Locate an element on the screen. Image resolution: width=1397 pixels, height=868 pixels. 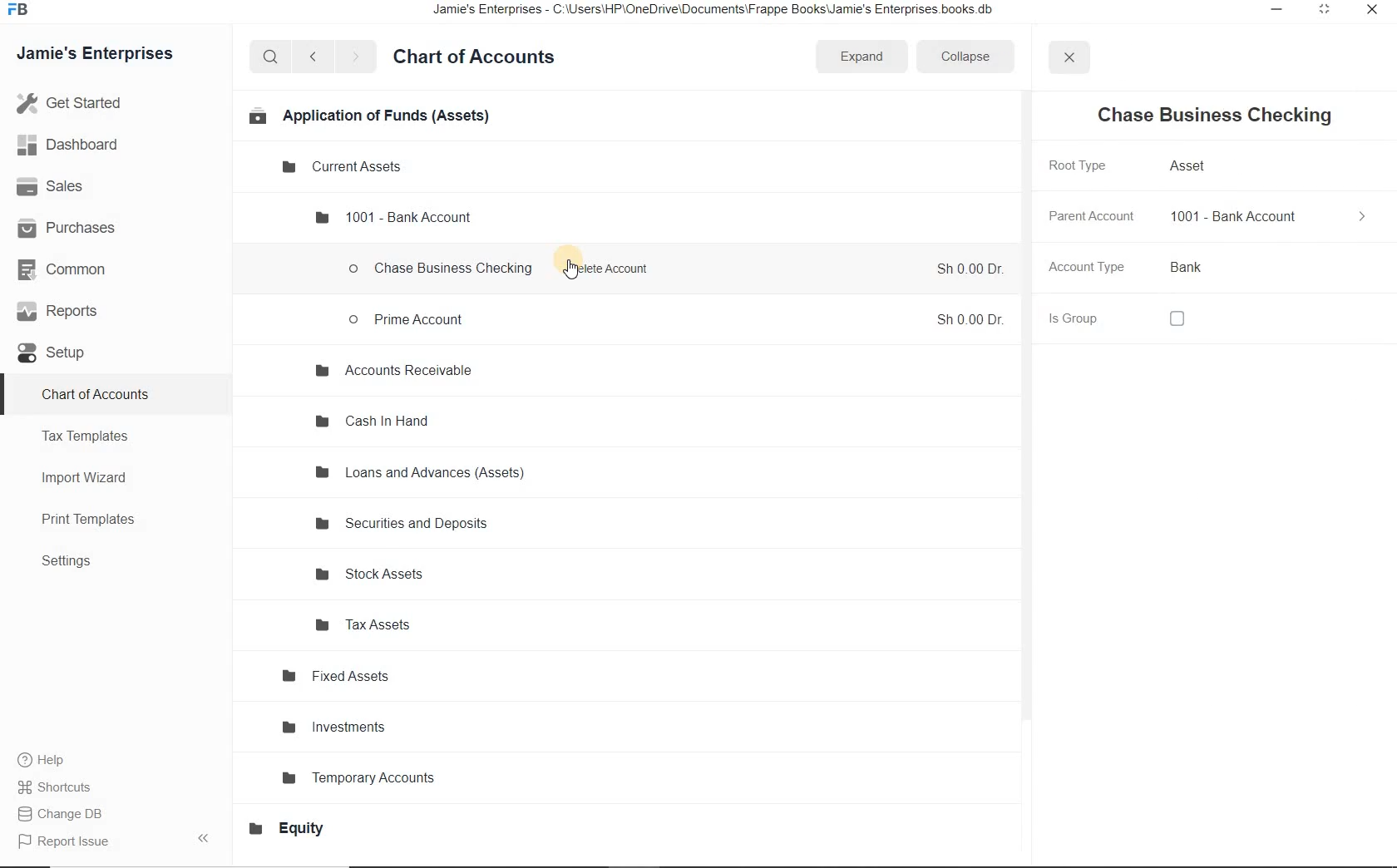
Equity is located at coordinates (295, 828).